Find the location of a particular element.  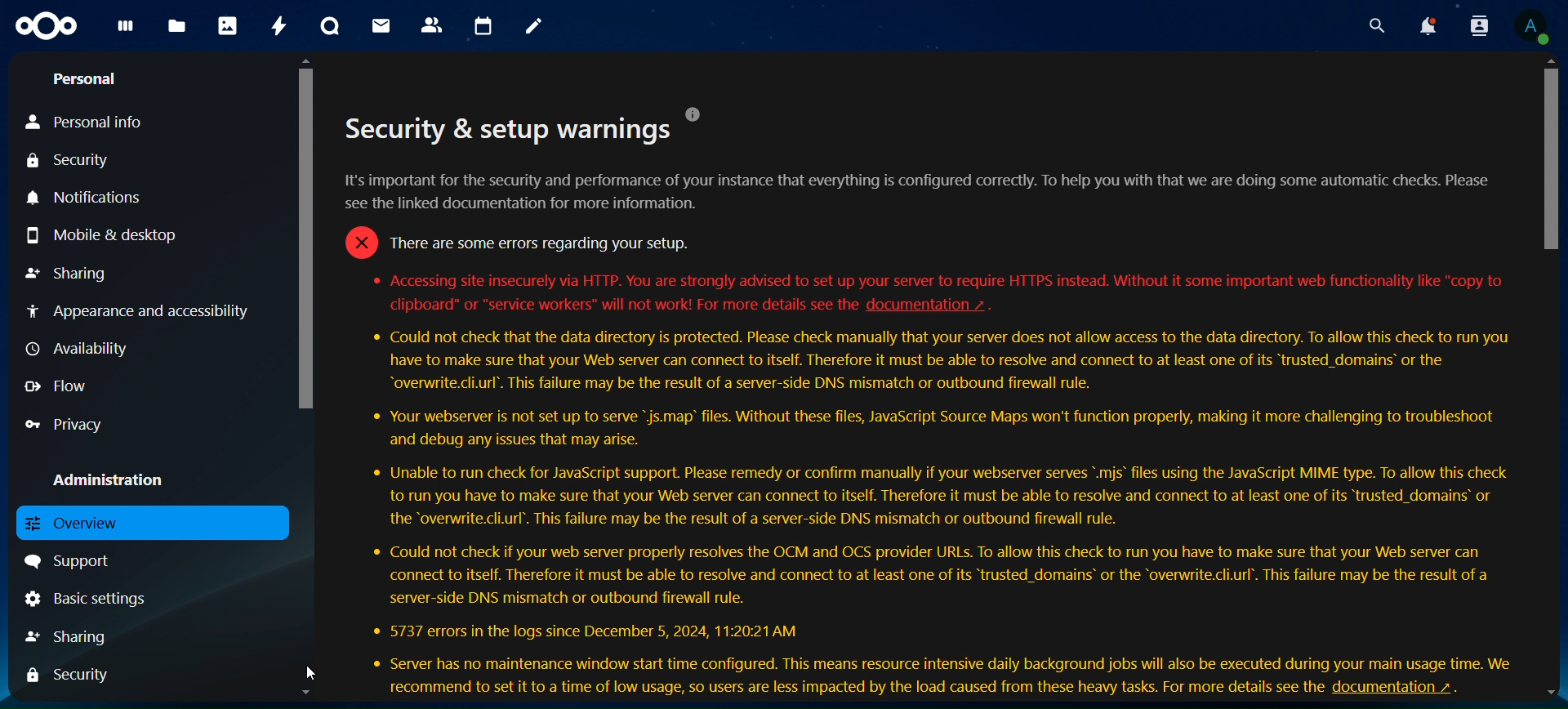

icon is located at coordinates (49, 30).